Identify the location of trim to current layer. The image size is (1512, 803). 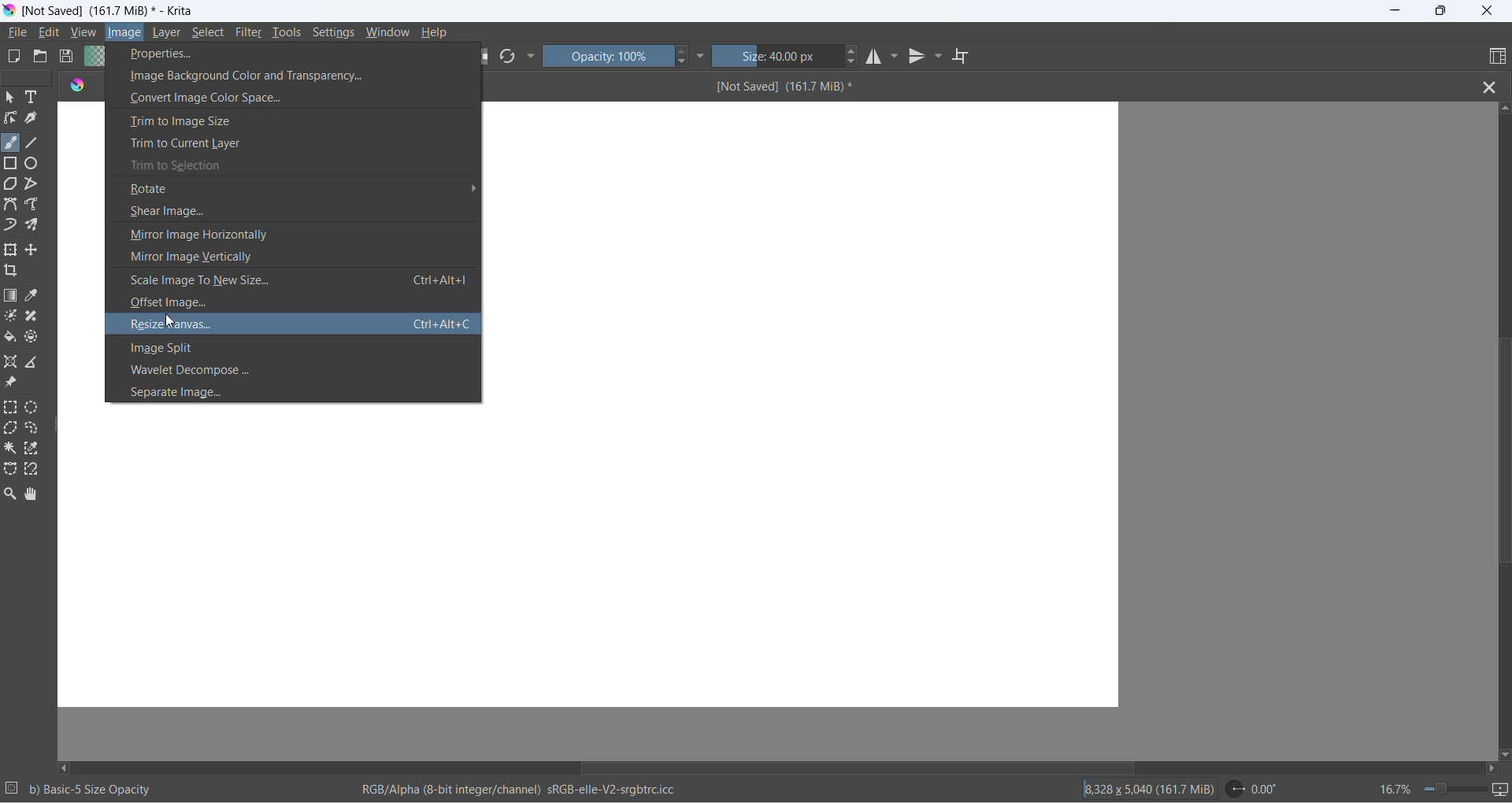
(292, 142).